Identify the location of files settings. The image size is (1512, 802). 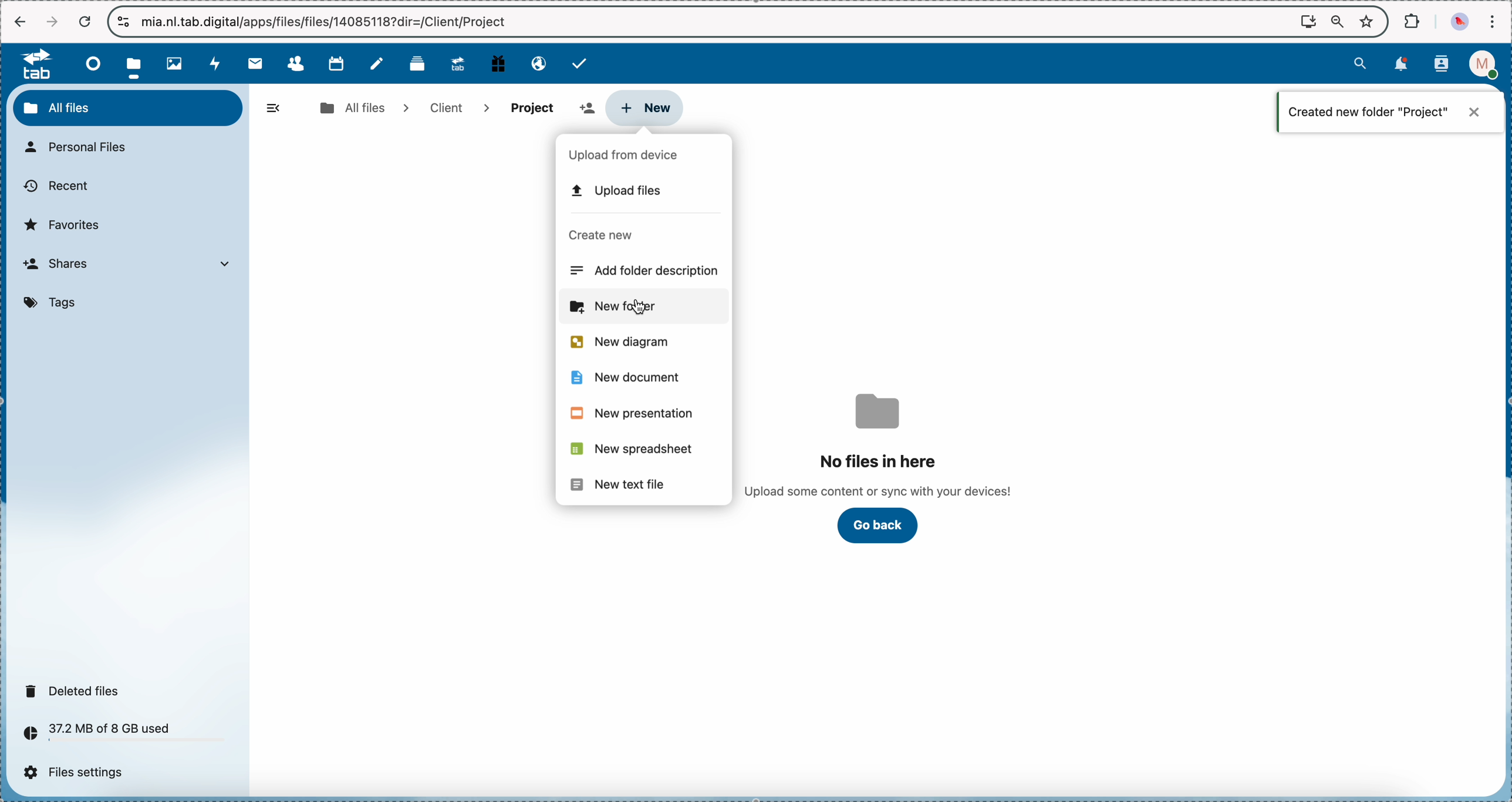
(79, 773).